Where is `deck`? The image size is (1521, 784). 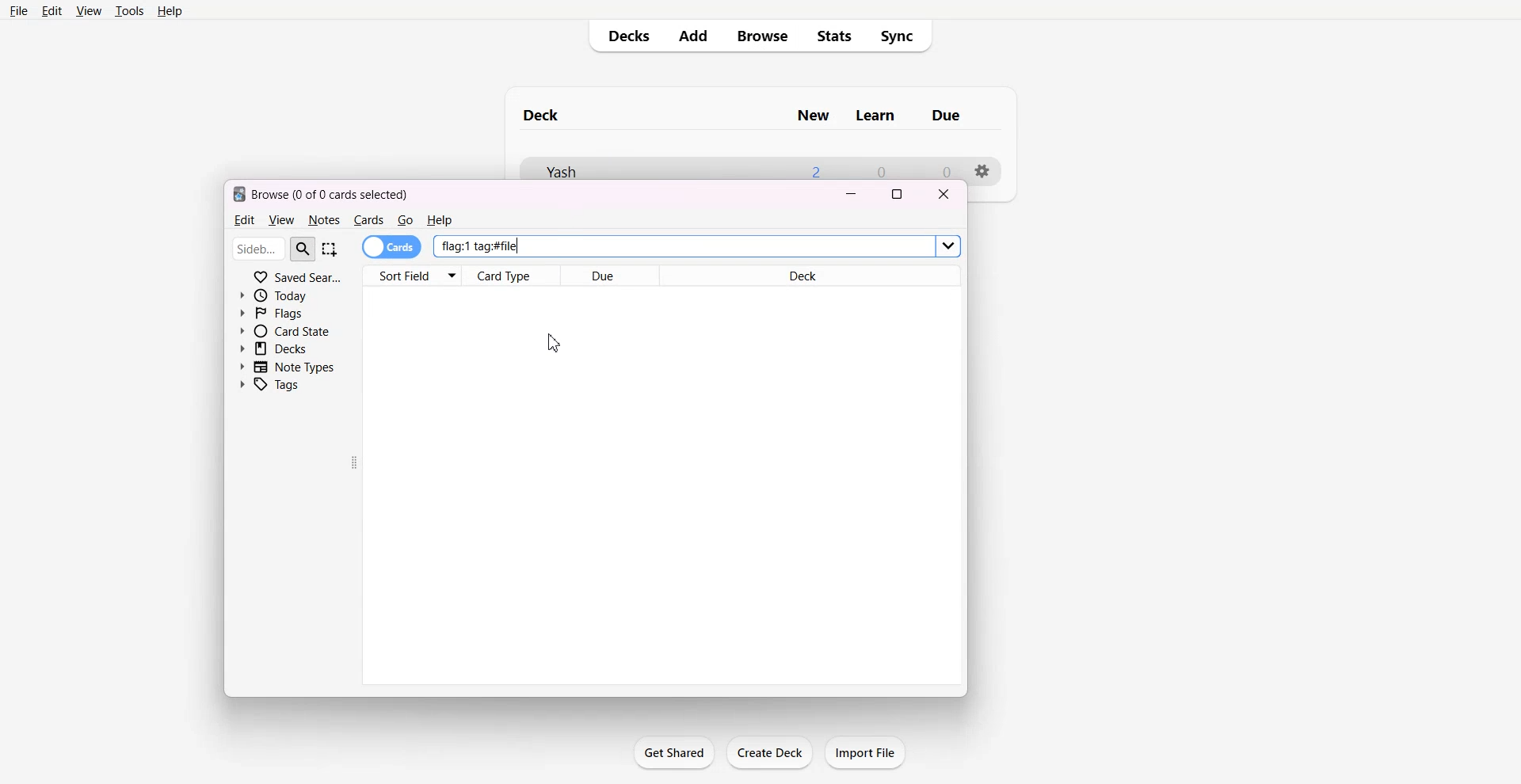 deck is located at coordinates (554, 113).